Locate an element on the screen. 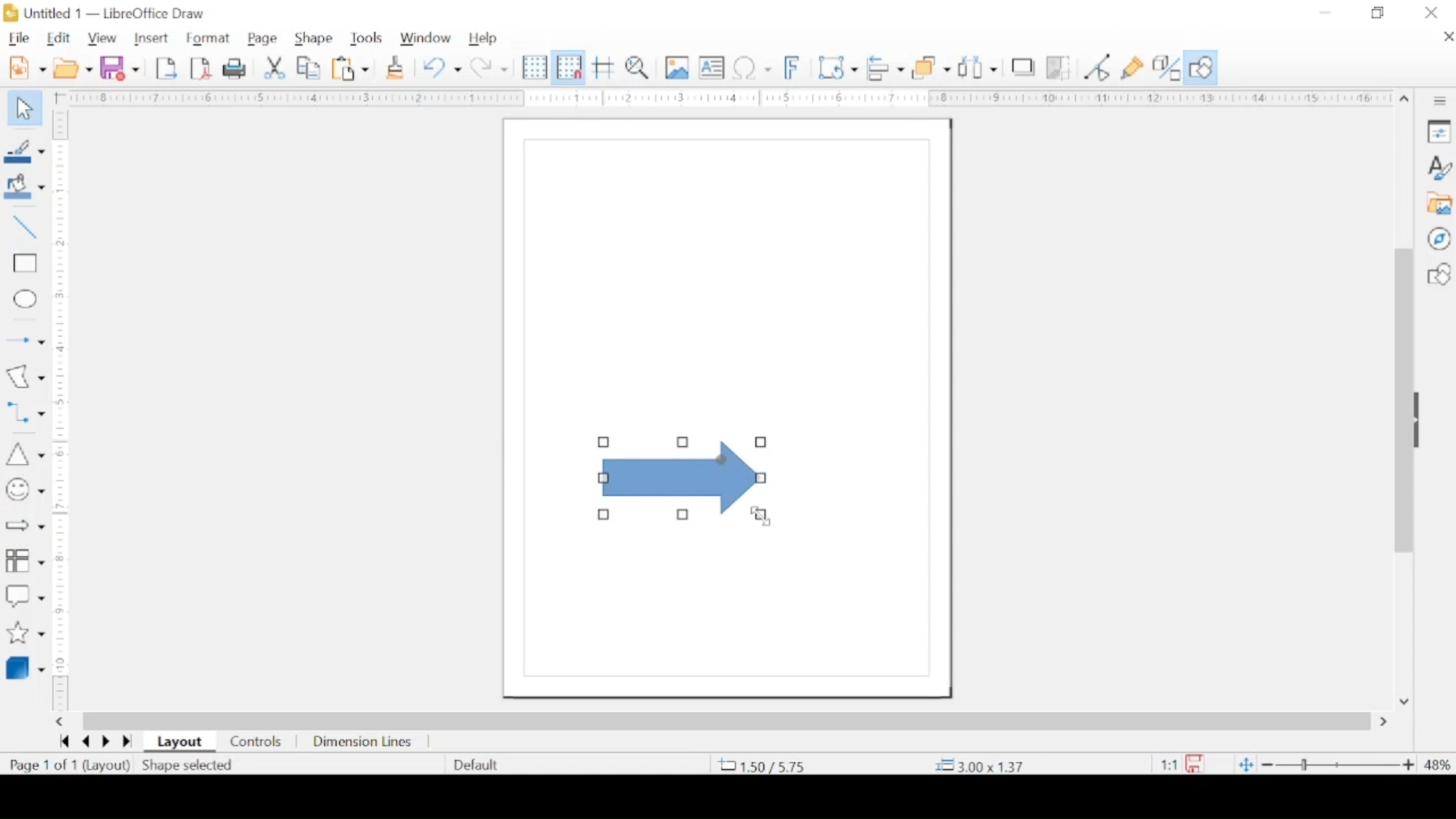 The height and width of the screenshot is (819, 1456). resize handle is located at coordinates (605, 516).